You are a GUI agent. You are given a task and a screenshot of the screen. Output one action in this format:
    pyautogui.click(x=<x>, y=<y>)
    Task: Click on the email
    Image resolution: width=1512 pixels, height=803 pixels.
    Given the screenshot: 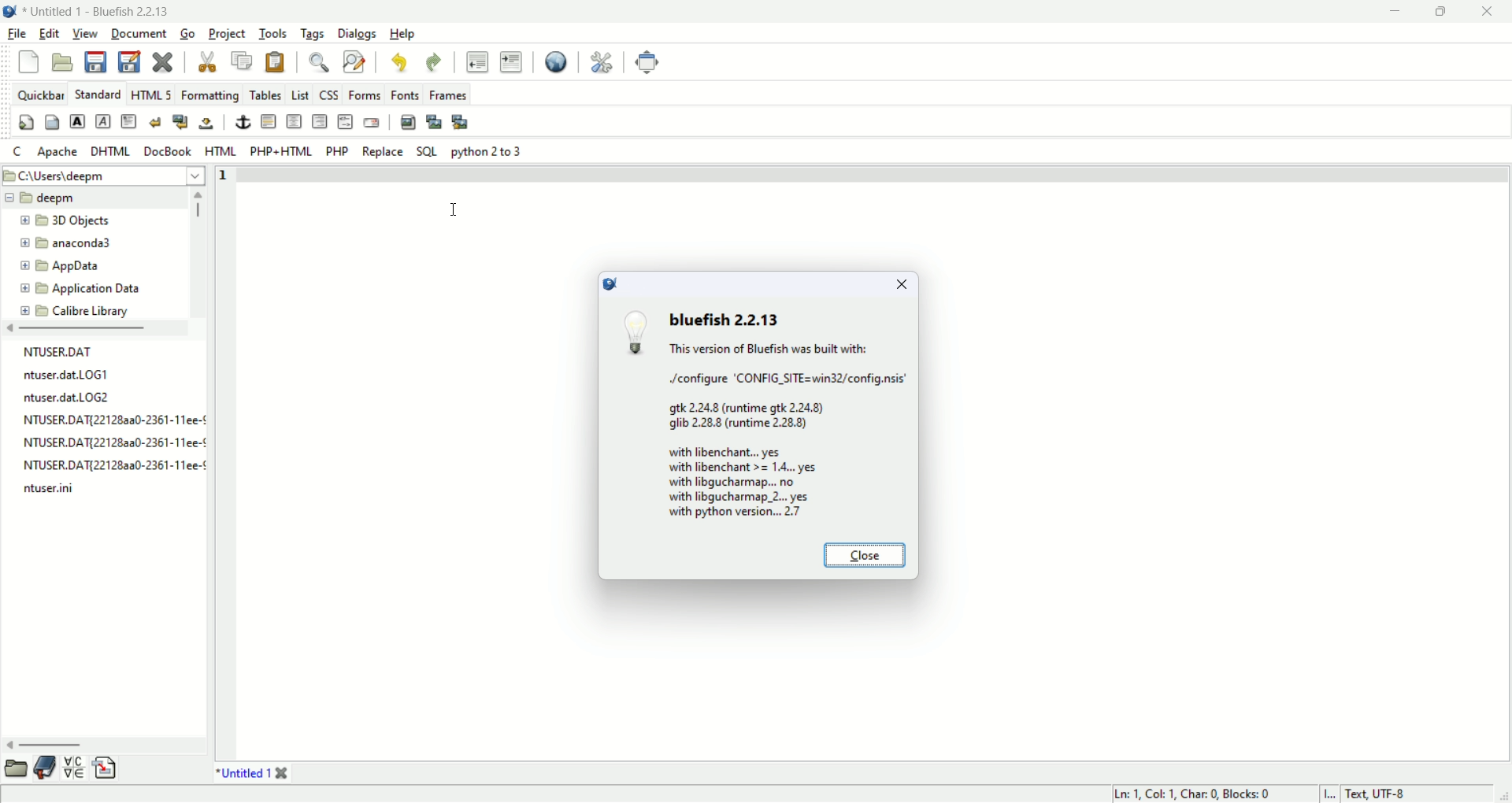 What is the action you would take?
    pyautogui.click(x=372, y=124)
    